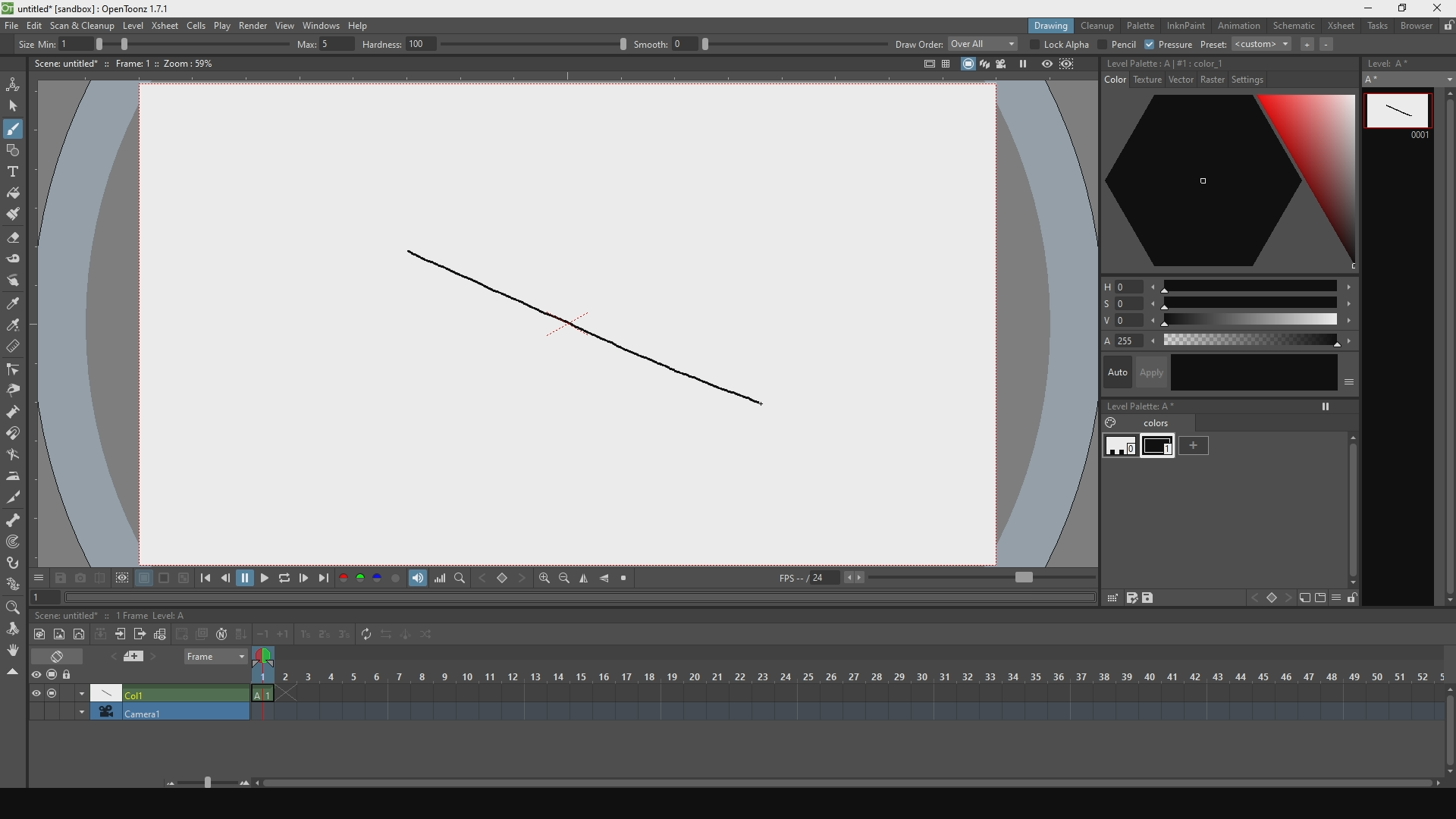  What do you see at coordinates (606, 579) in the screenshot?
I see `align horizontally` at bounding box center [606, 579].